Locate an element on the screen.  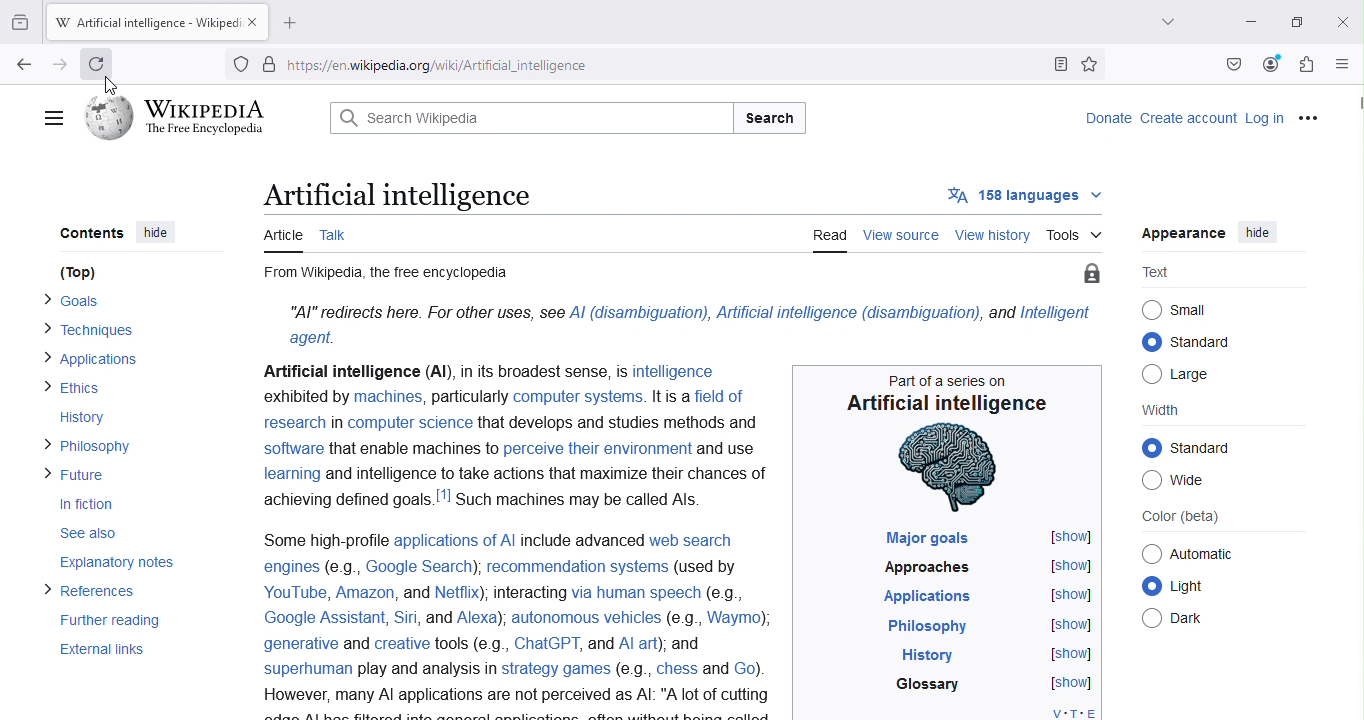
W Artificial intelligence - Wikiped: is located at coordinates (142, 23).